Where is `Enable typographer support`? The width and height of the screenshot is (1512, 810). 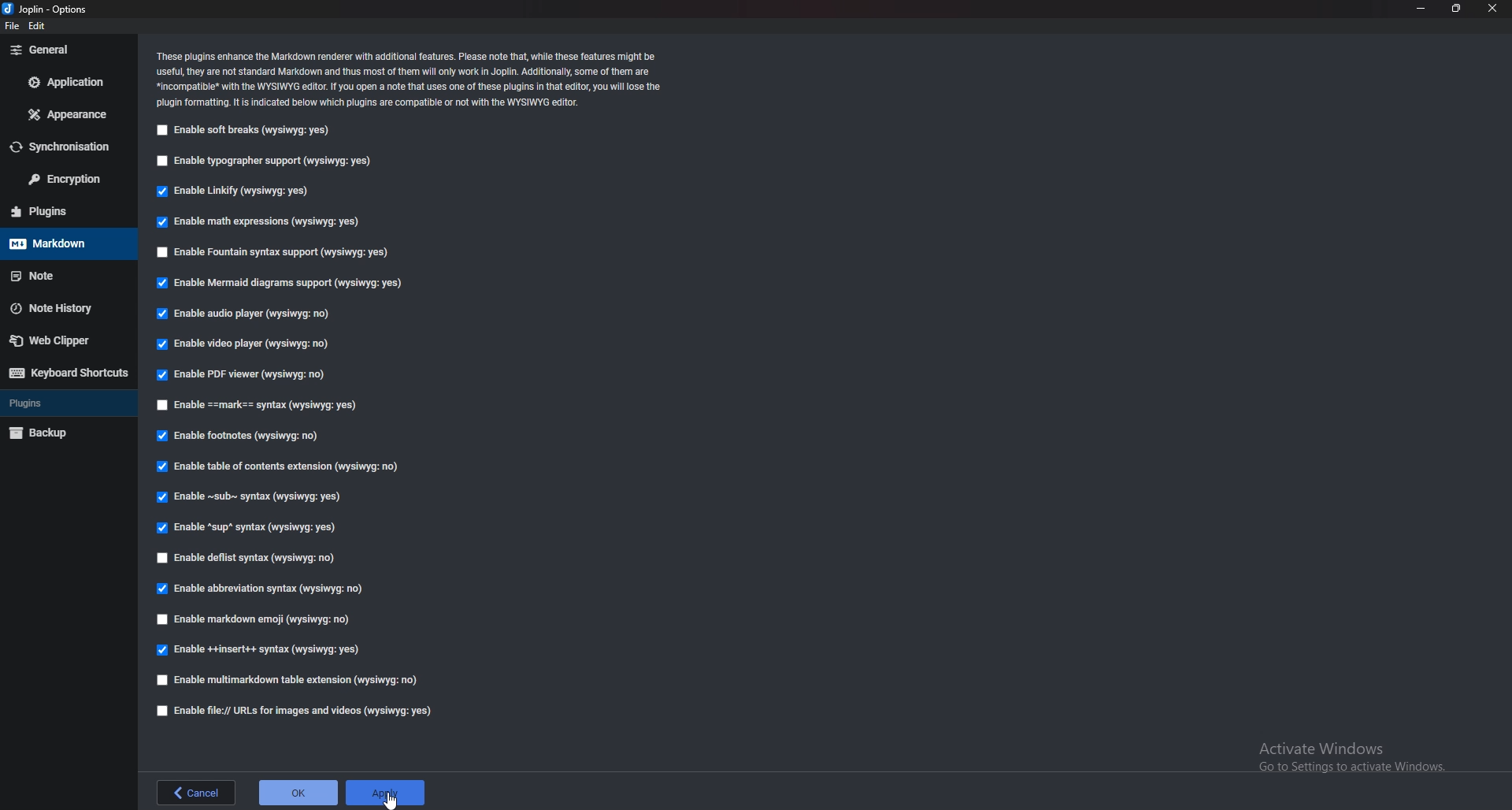 Enable typographer support is located at coordinates (270, 162).